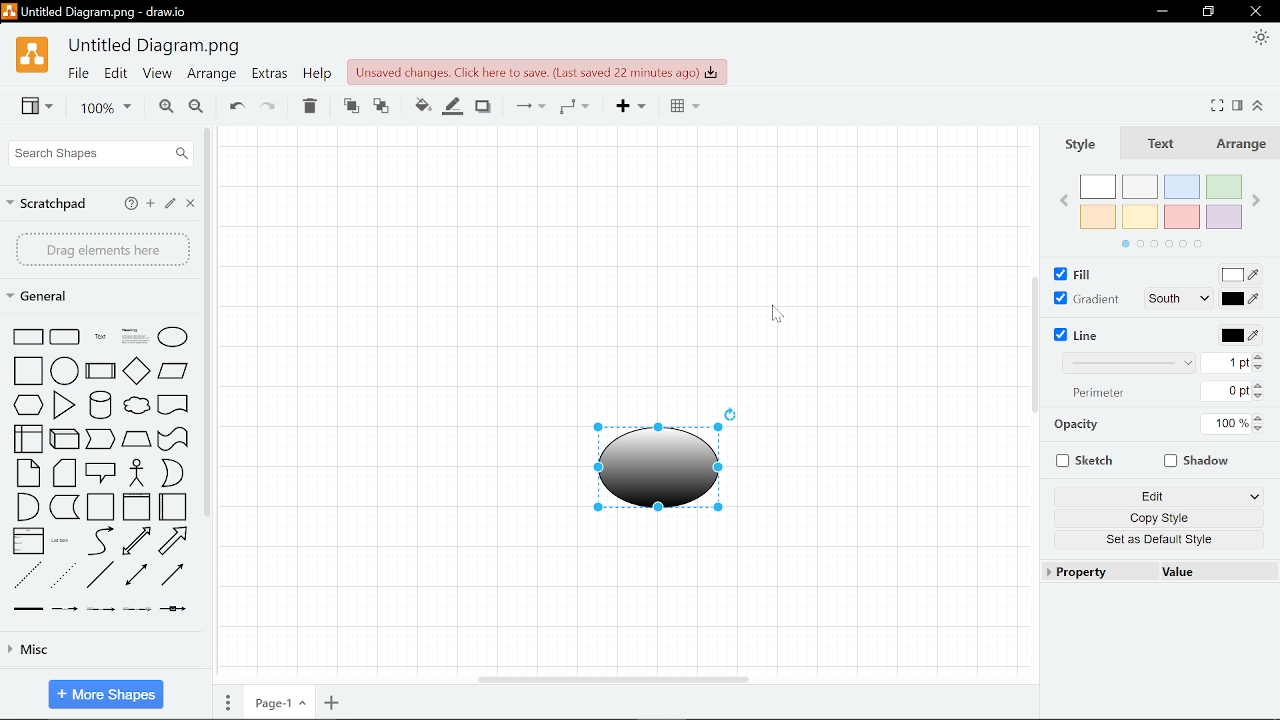  I want to click on Click here to save, so click(539, 72).